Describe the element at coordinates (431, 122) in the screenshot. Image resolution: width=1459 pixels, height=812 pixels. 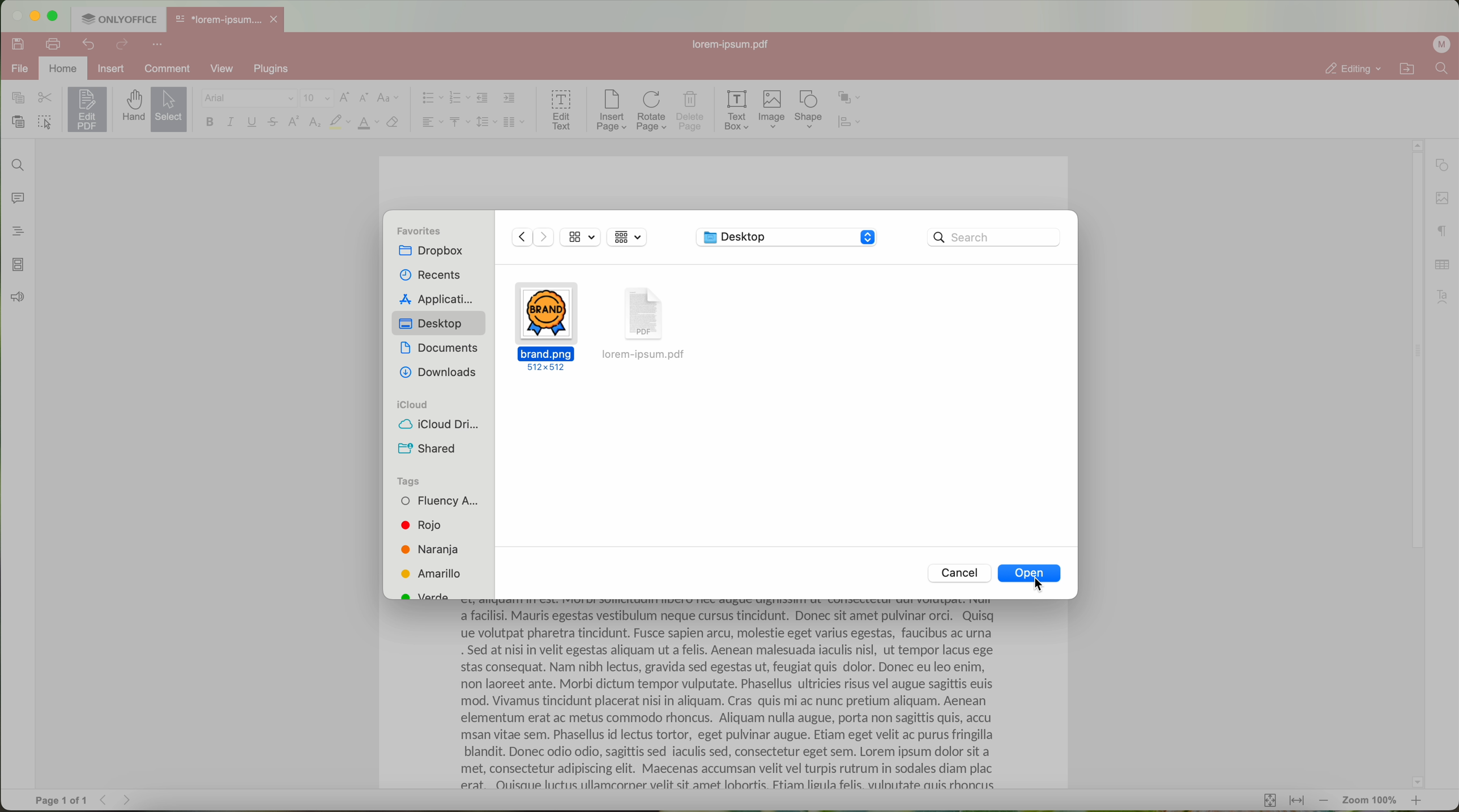
I see `horizontal align` at that location.